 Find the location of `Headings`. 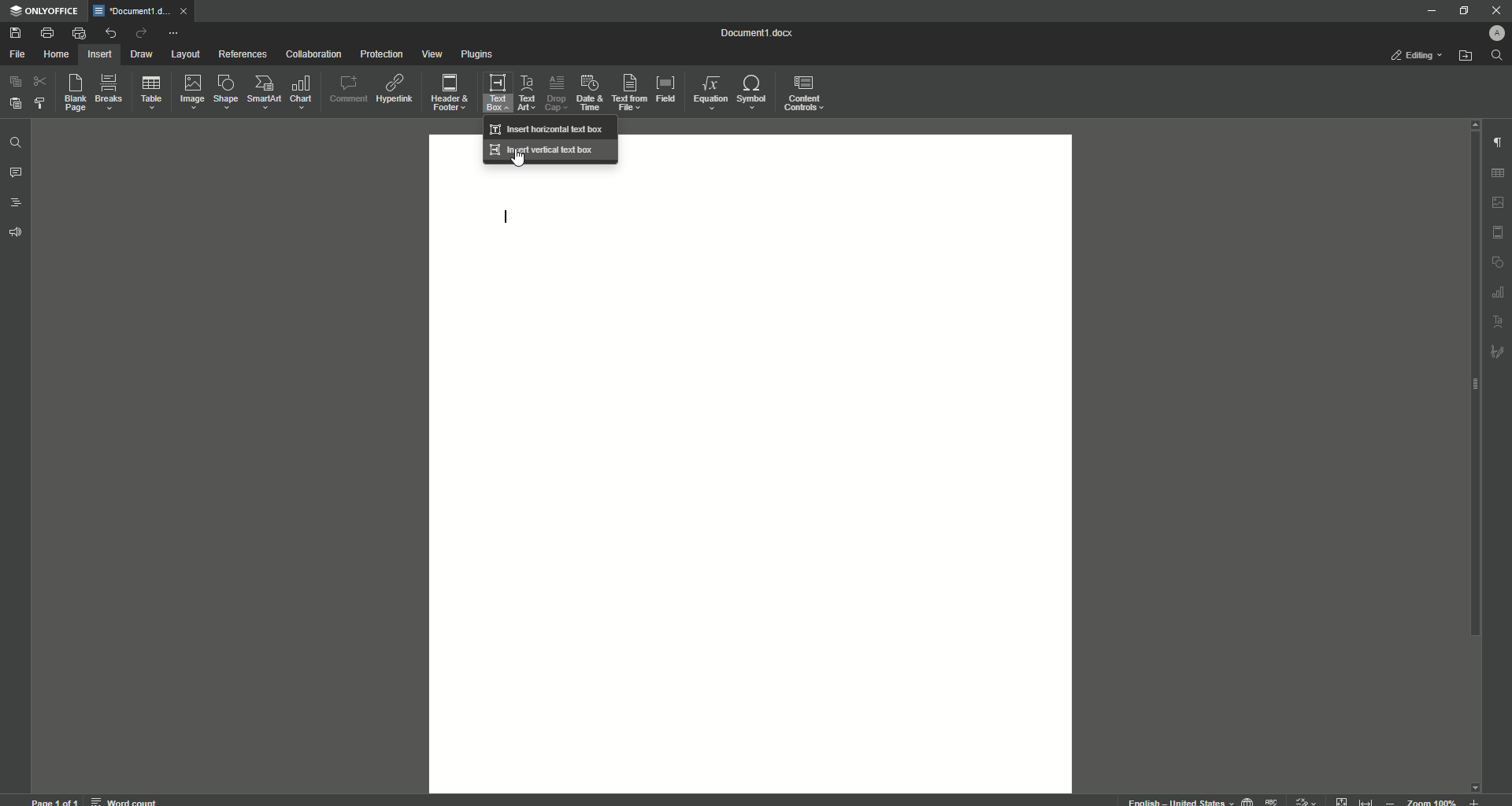

Headings is located at coordinates (17, 203).